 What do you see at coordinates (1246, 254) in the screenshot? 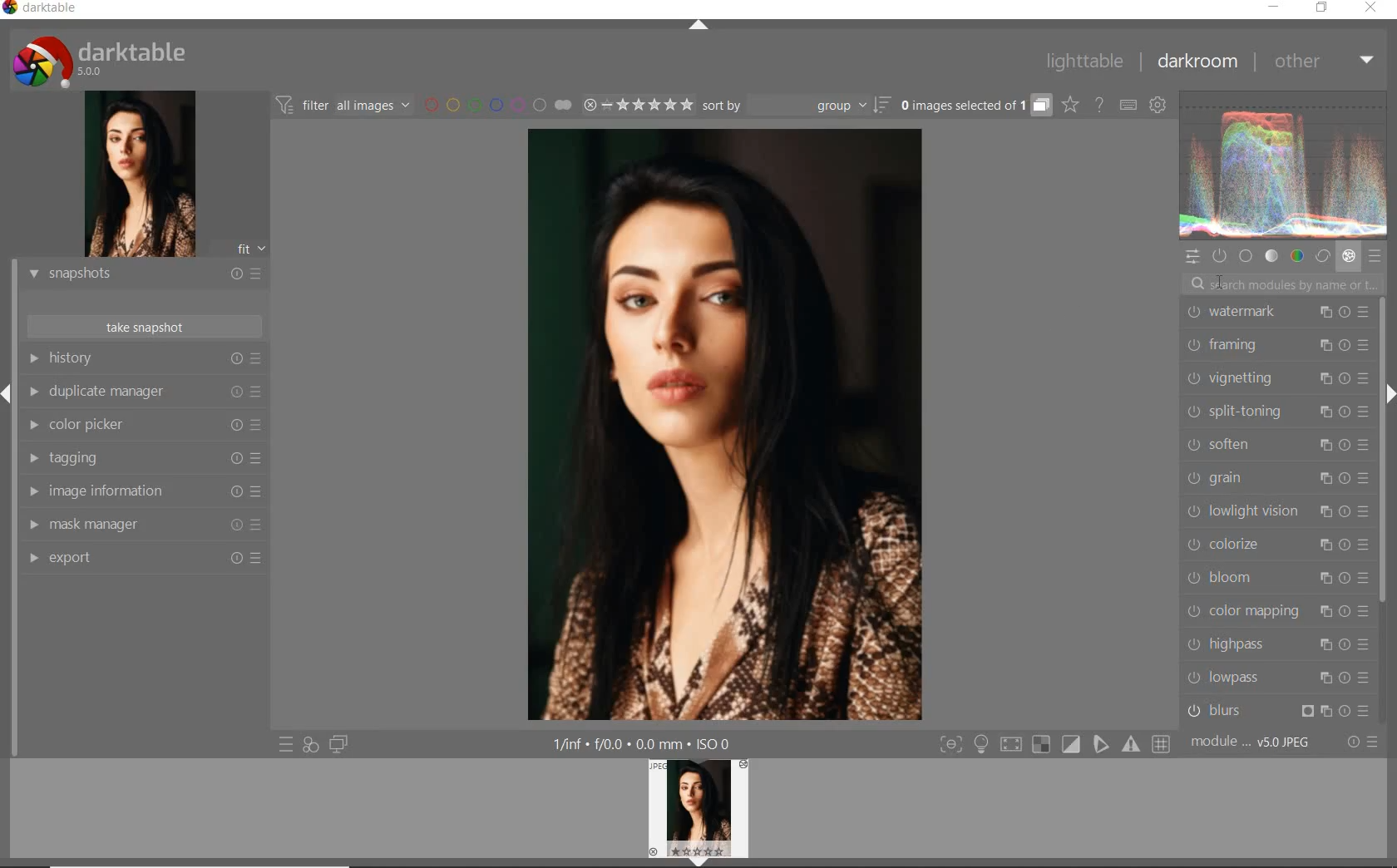
I see `base` at bounding box center [1246, 254].